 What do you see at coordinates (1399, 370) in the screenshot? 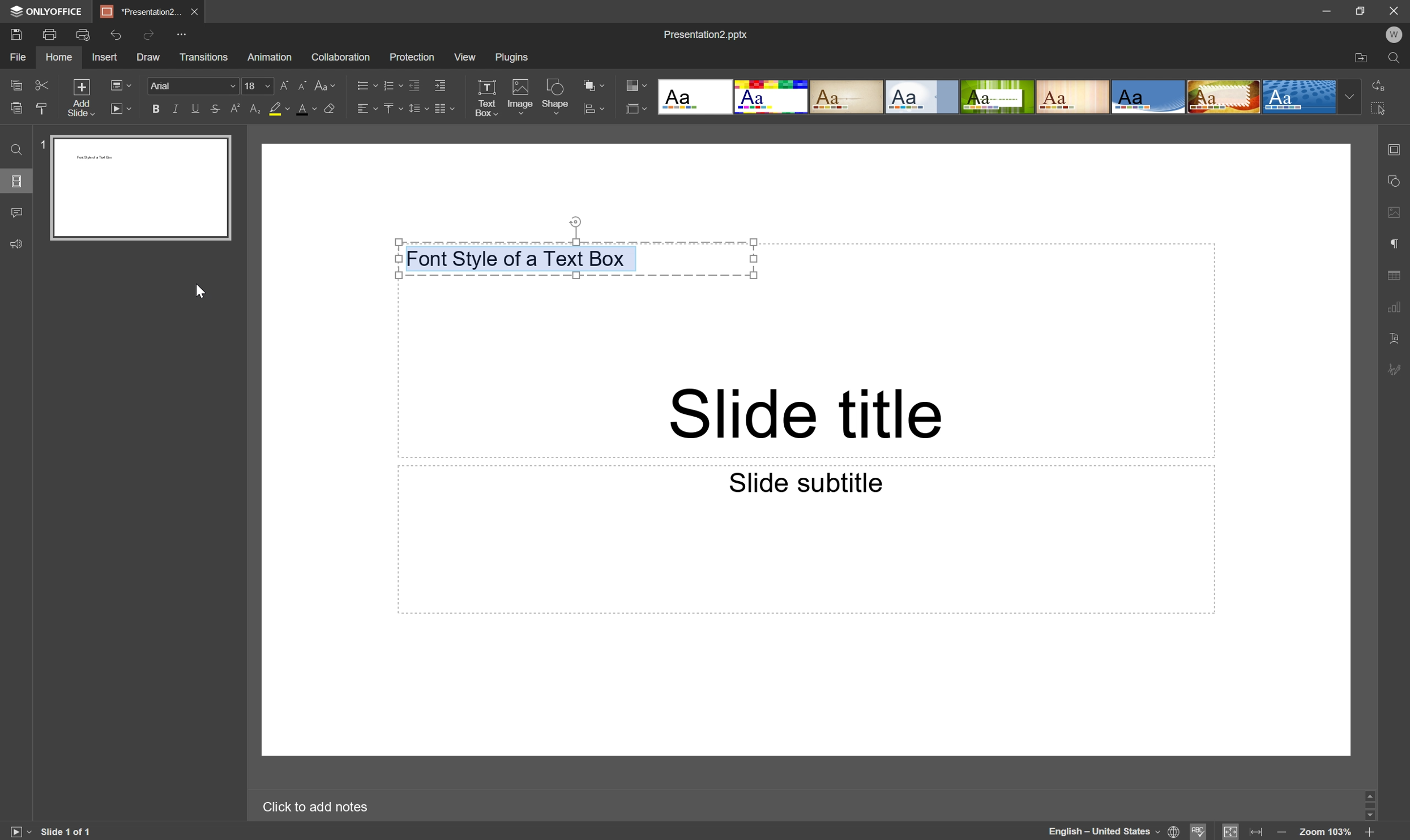
I see `Signature settings` at bounding box center [1399, 370].